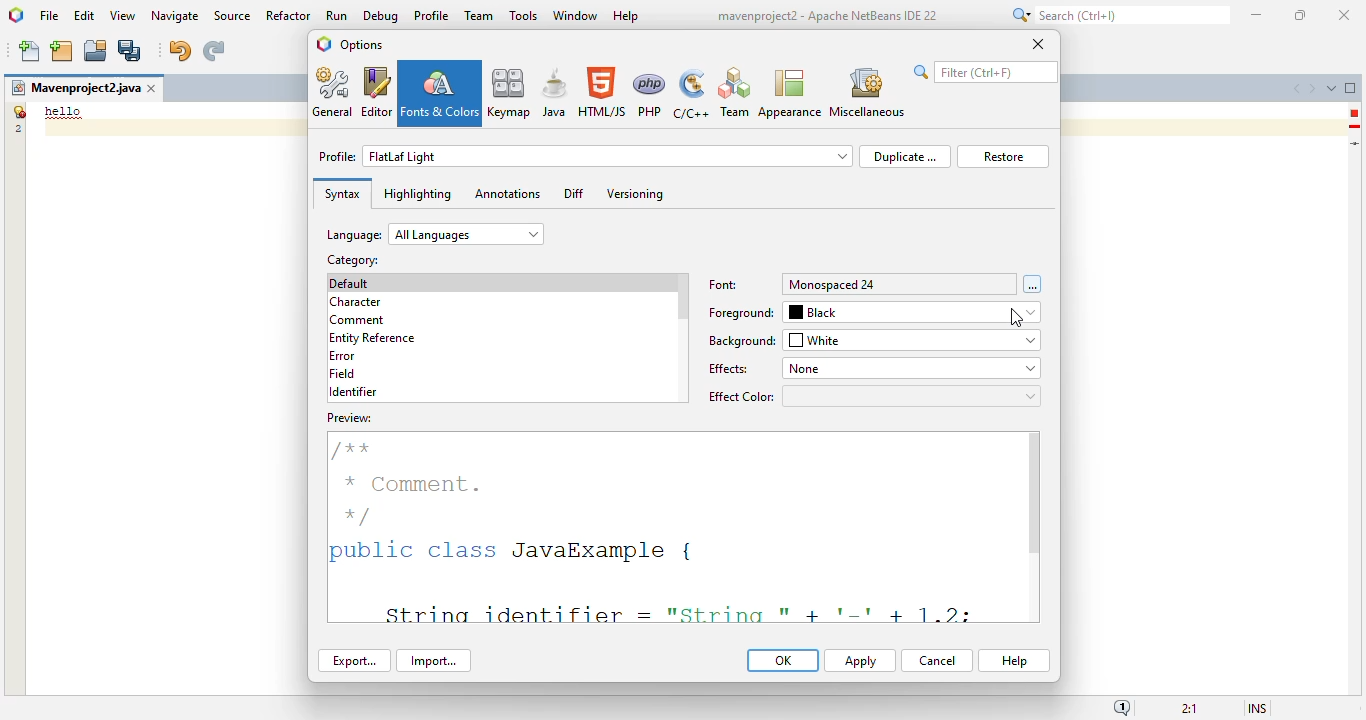 Image resolution: width=1366 pixels, height=720 pixels. What do you see at coordinates (985, 72) in the screenshot?
I see `search` at bounding box center [985, 72].